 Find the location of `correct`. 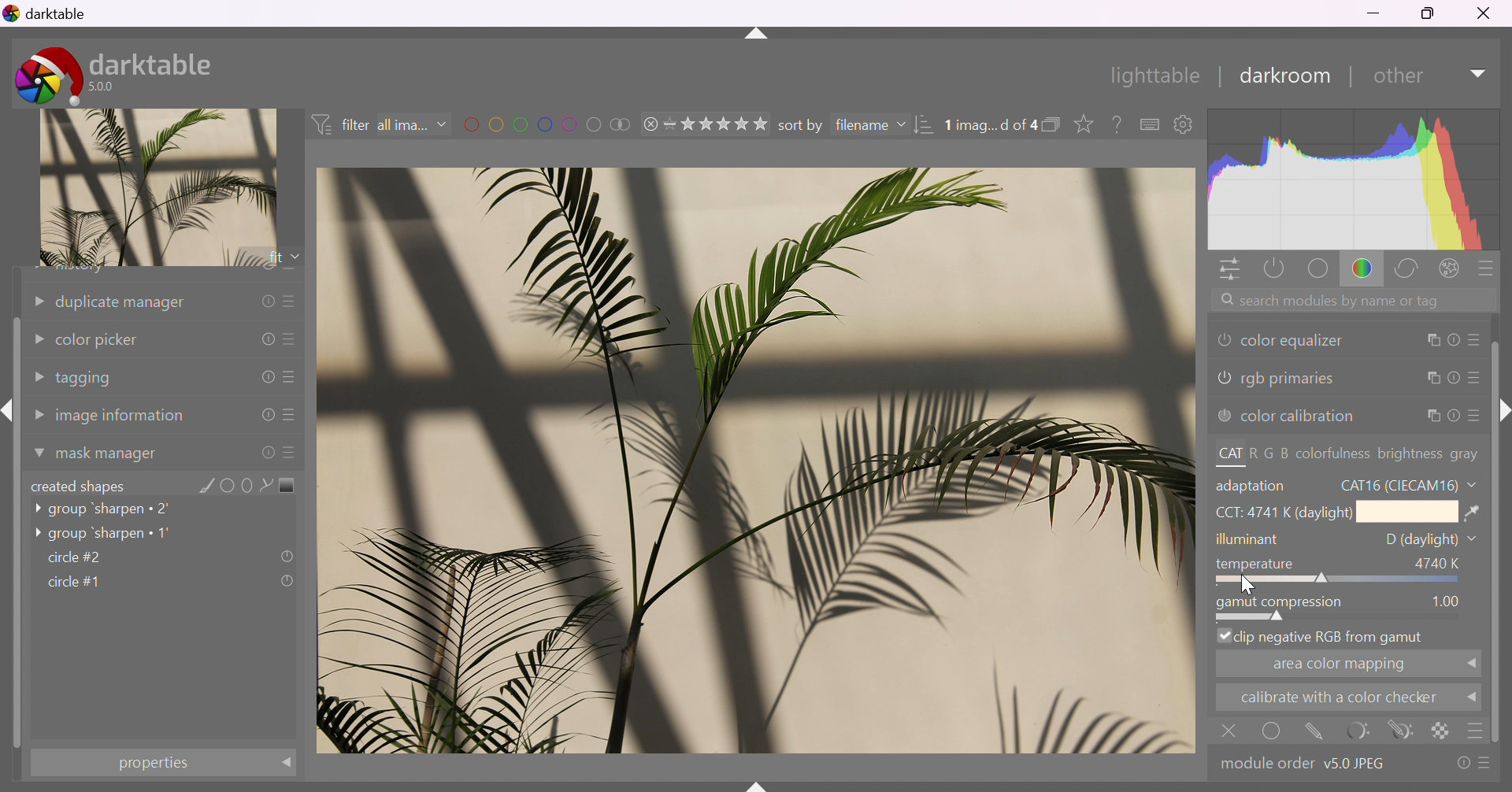

correct is located at coordinates (1407, 268).